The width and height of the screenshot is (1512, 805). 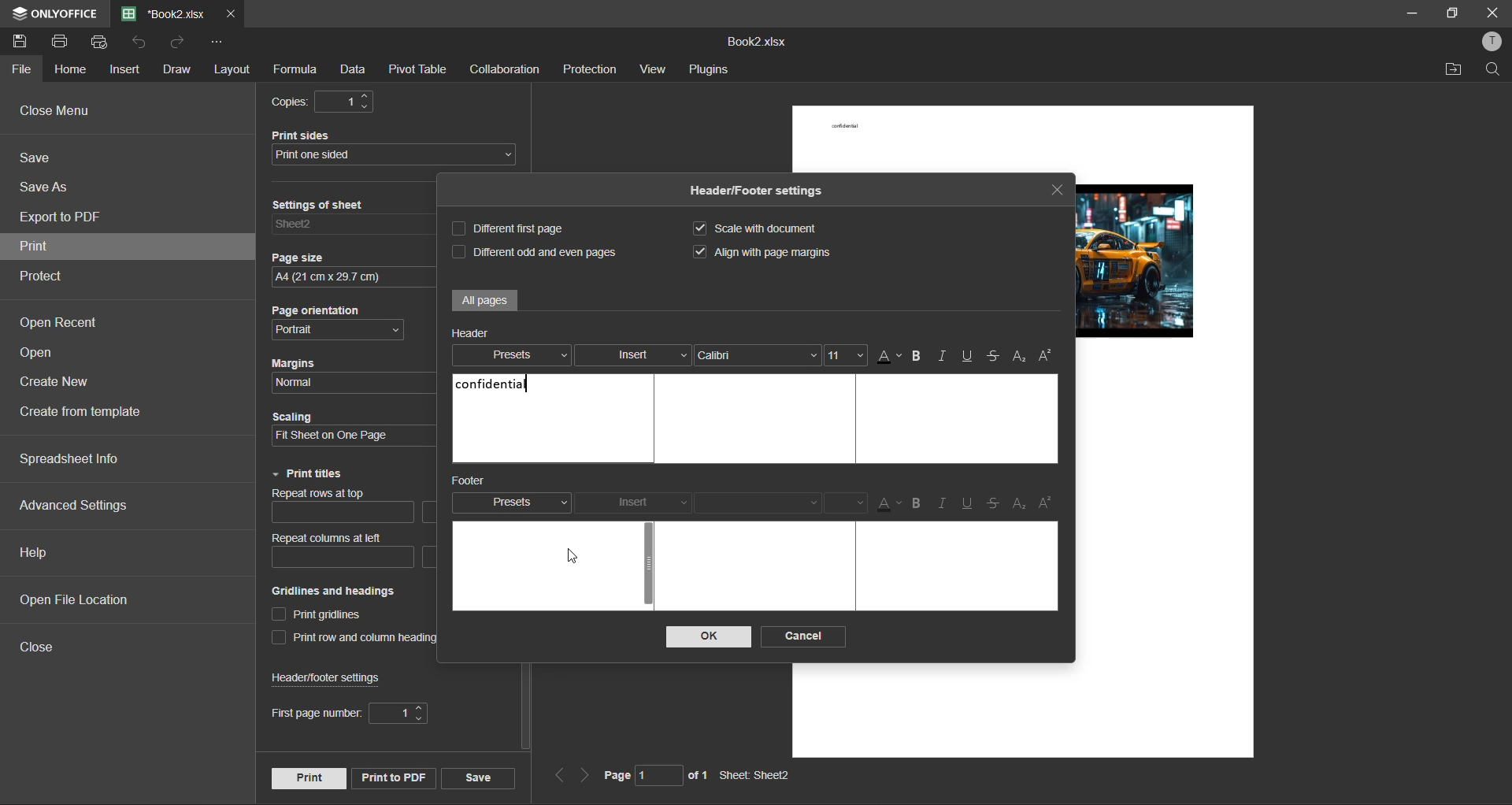 I want to click on all pages, so click(x=484, y=302).